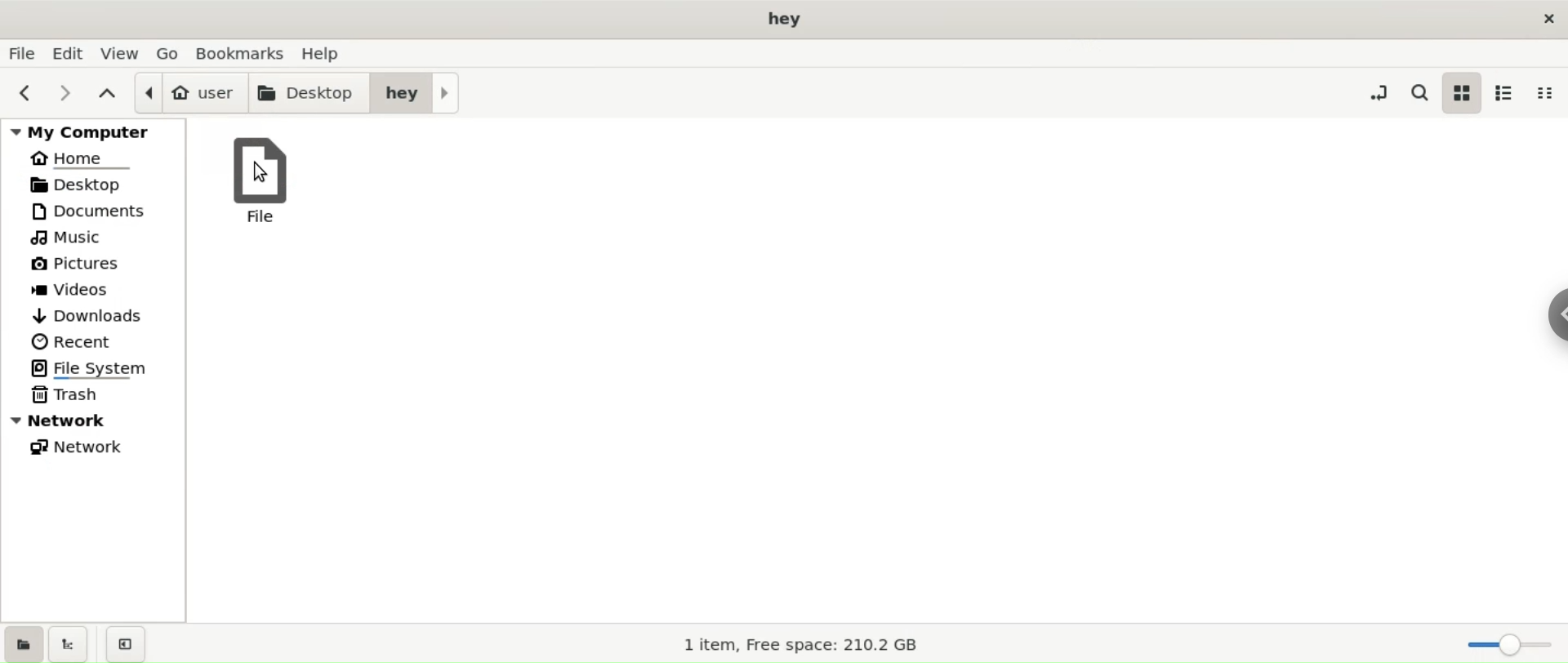 This screenshot has height=663, width=1568. Describe the element at coordinates (109, 94) in the screenshot. I see `parent folder` at that location.